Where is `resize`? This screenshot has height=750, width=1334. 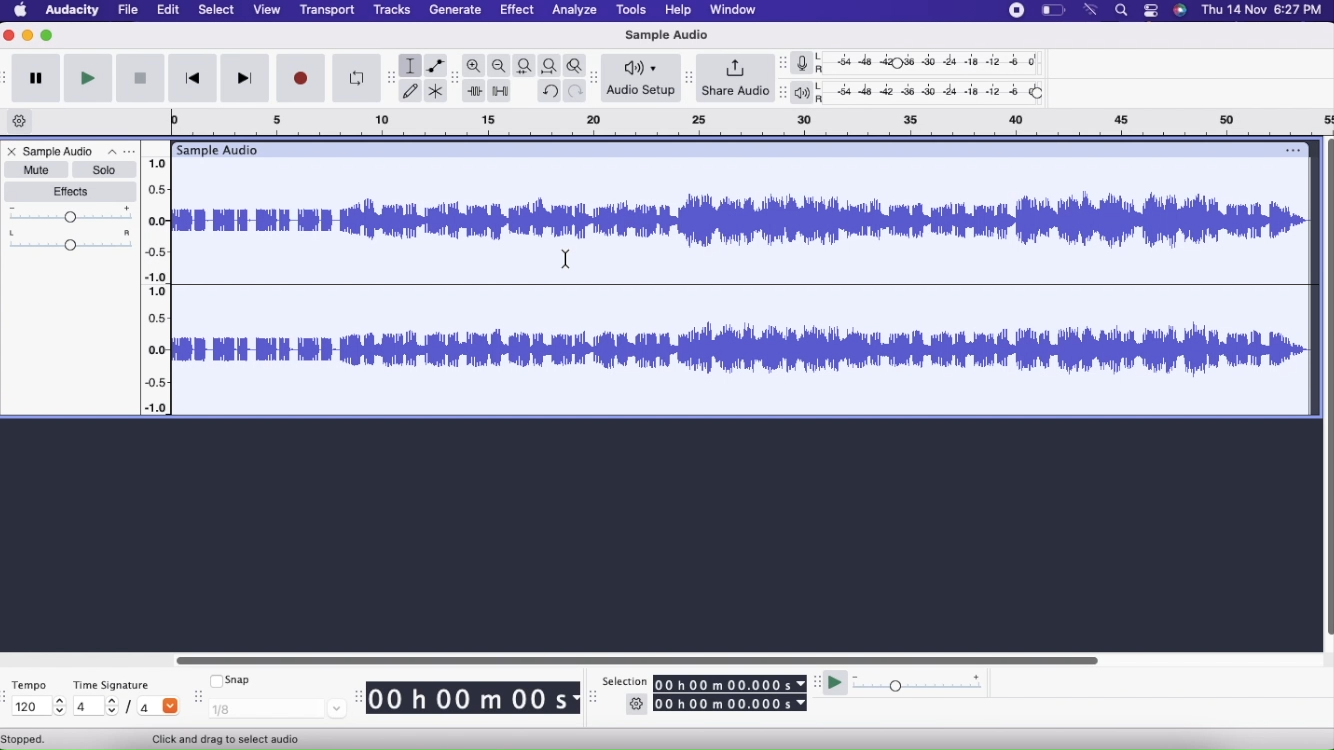
resize is located at coordinates (385, 76).